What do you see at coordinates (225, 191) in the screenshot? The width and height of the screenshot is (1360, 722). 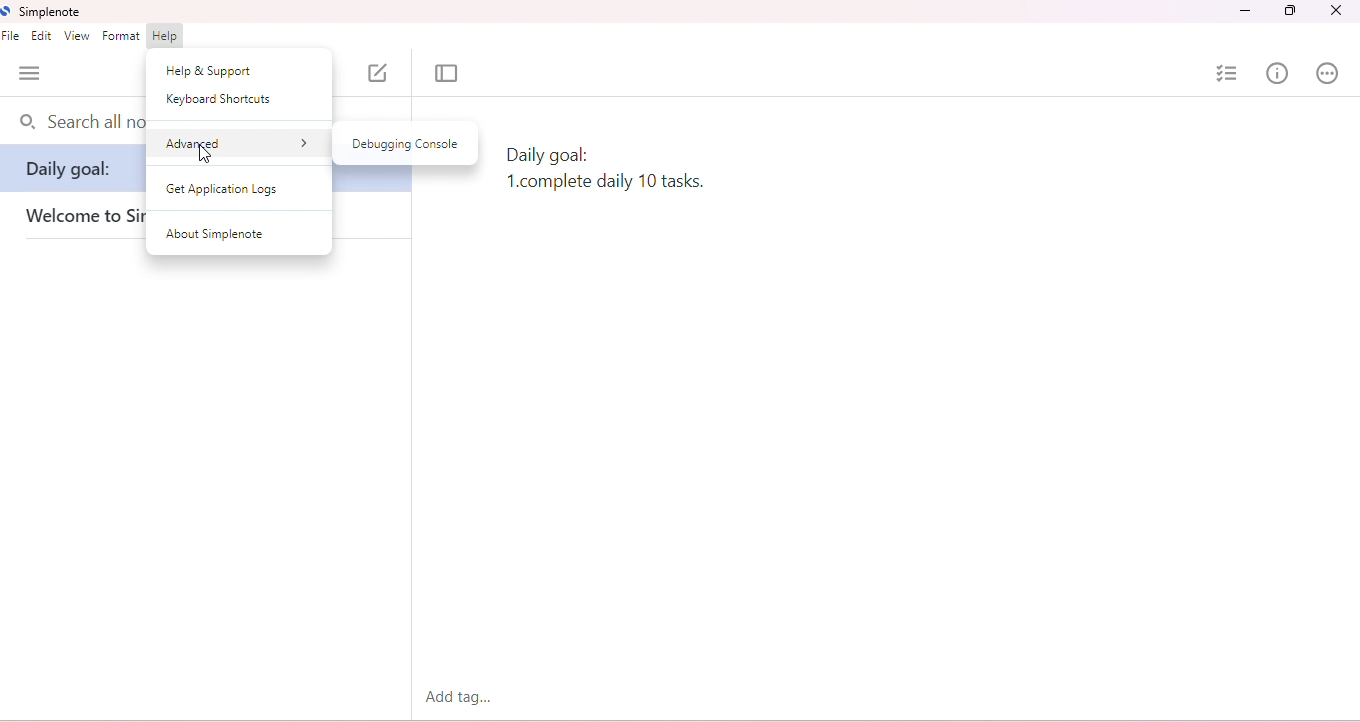 I see `get application logs` at bounding box center [225, 191].